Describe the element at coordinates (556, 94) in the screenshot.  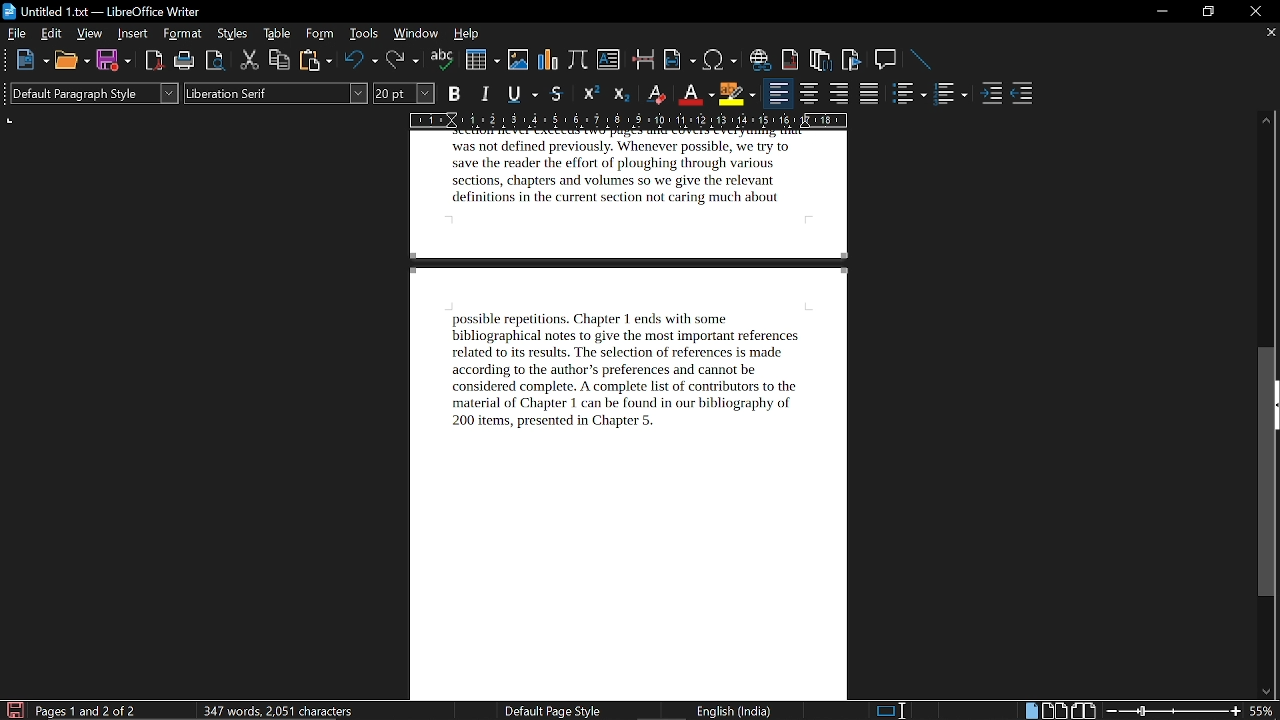
I see `strikethrough` at that location.